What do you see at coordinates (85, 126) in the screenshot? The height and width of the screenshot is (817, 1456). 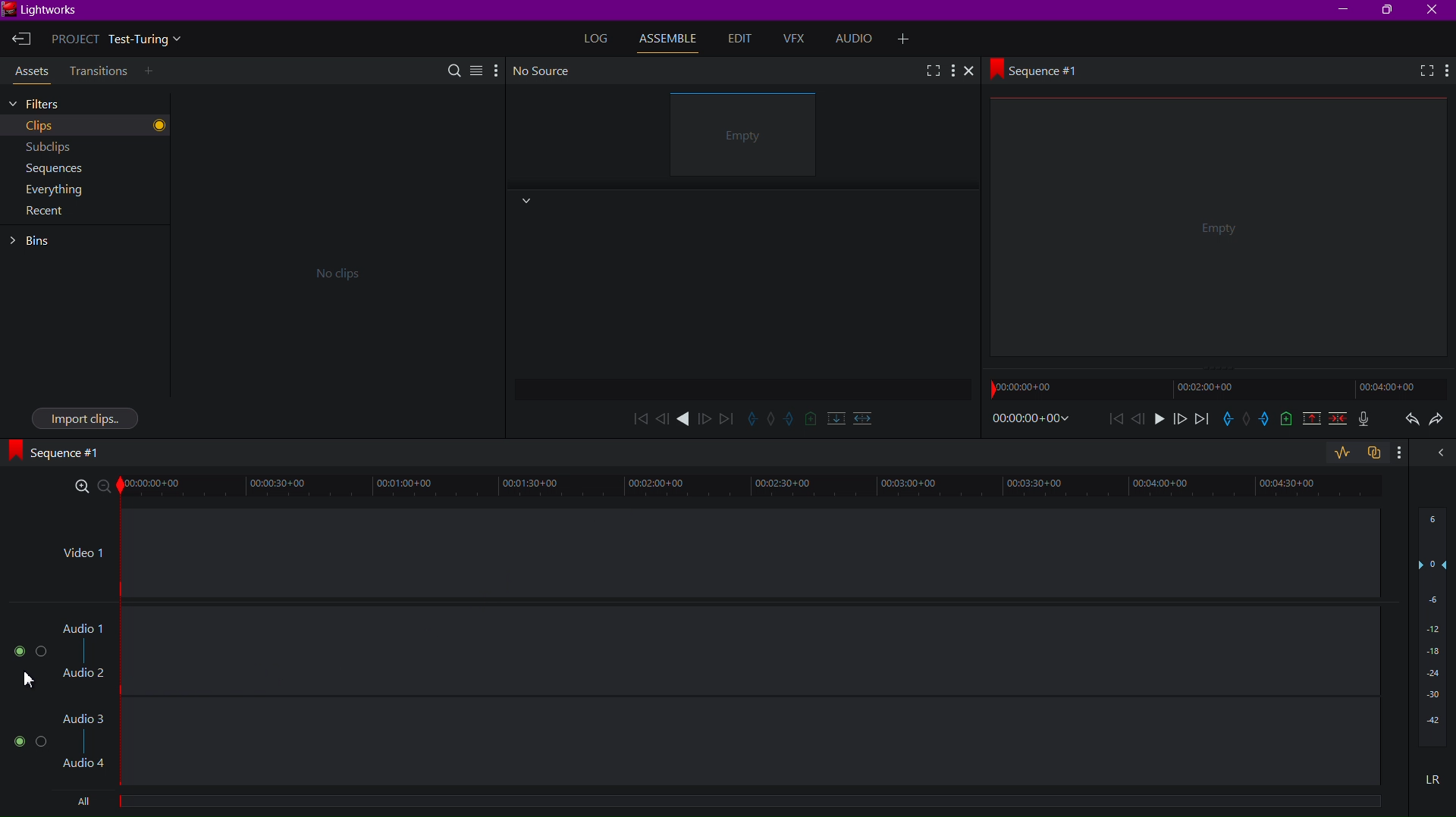 I see `Clips` at bounding box center [85, 126].